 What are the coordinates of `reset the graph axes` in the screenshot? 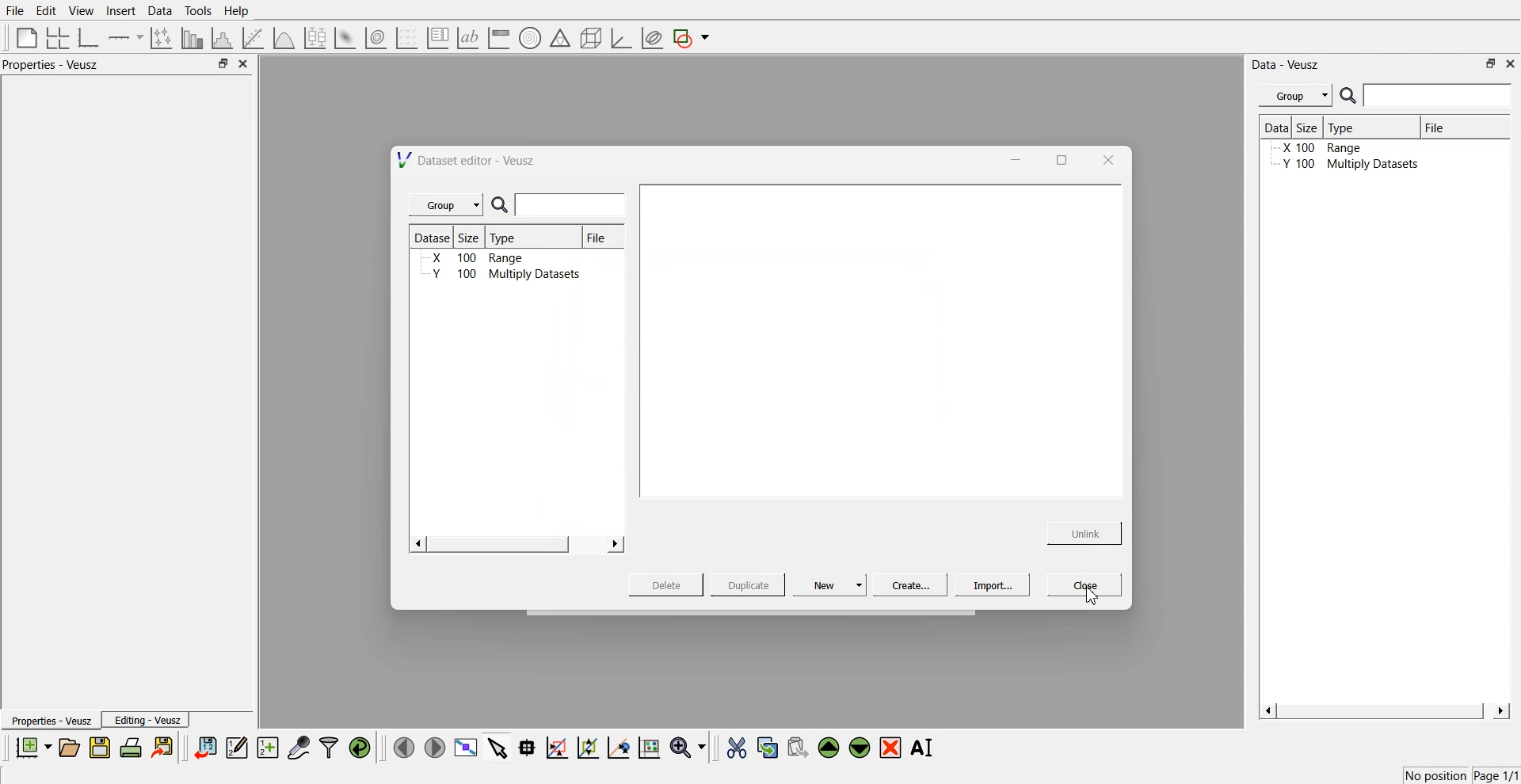 It's located at (649, 748).